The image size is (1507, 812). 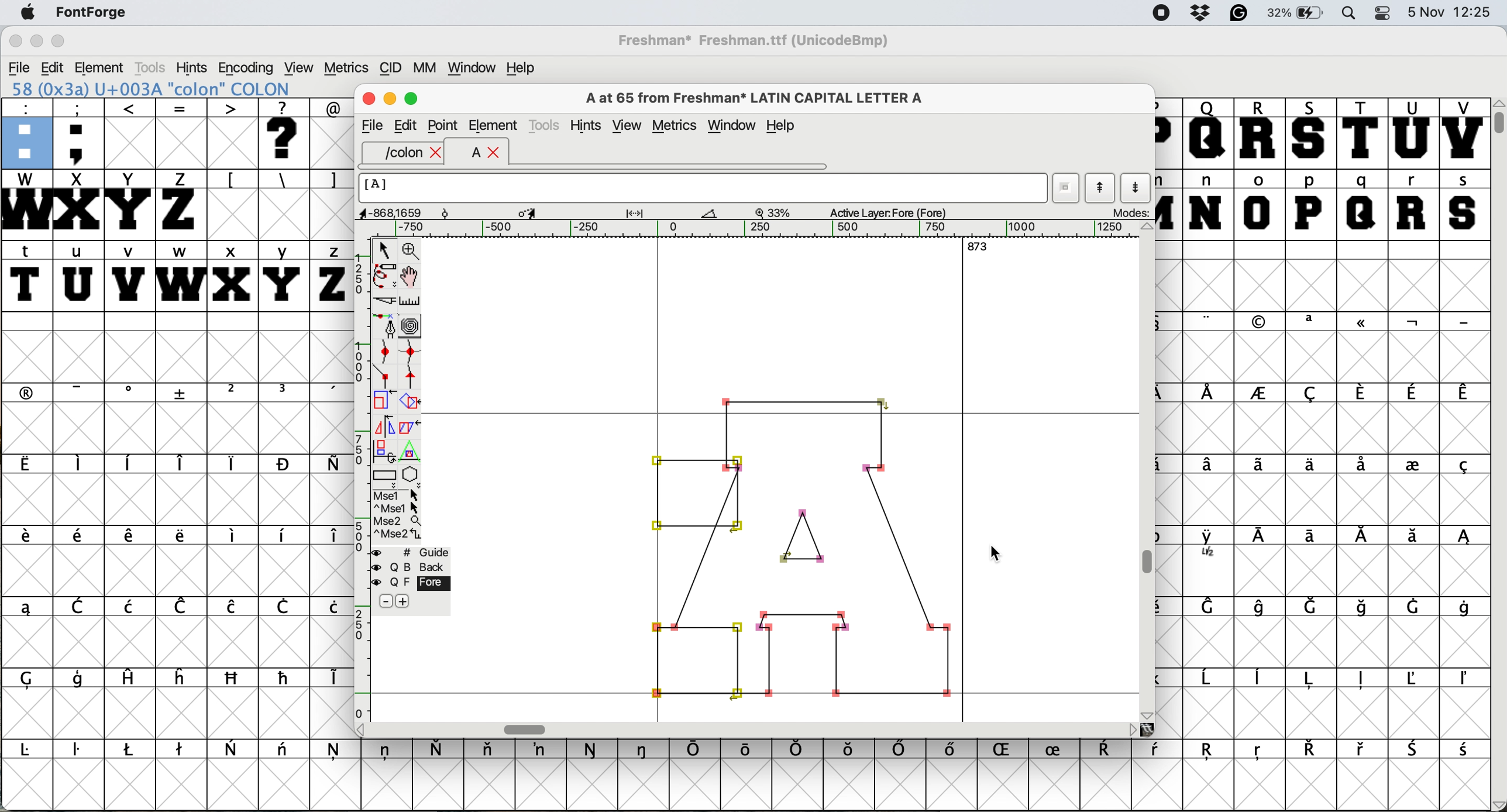 What do you see at coordinates (1261, 679) in the screenshot?
I see `symbol` at bounding box center [1261, 679].